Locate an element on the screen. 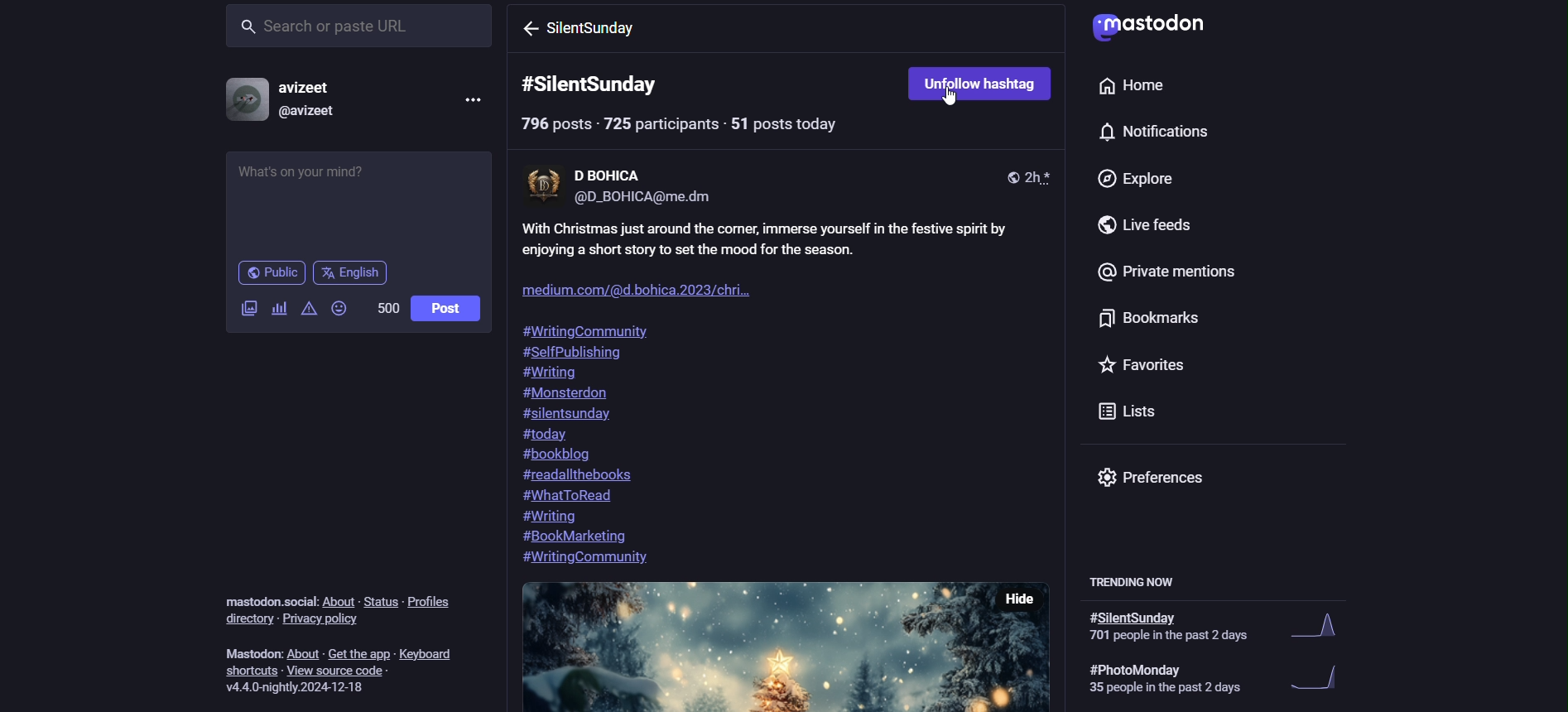  keyboard is located at coordinates (433, 654).